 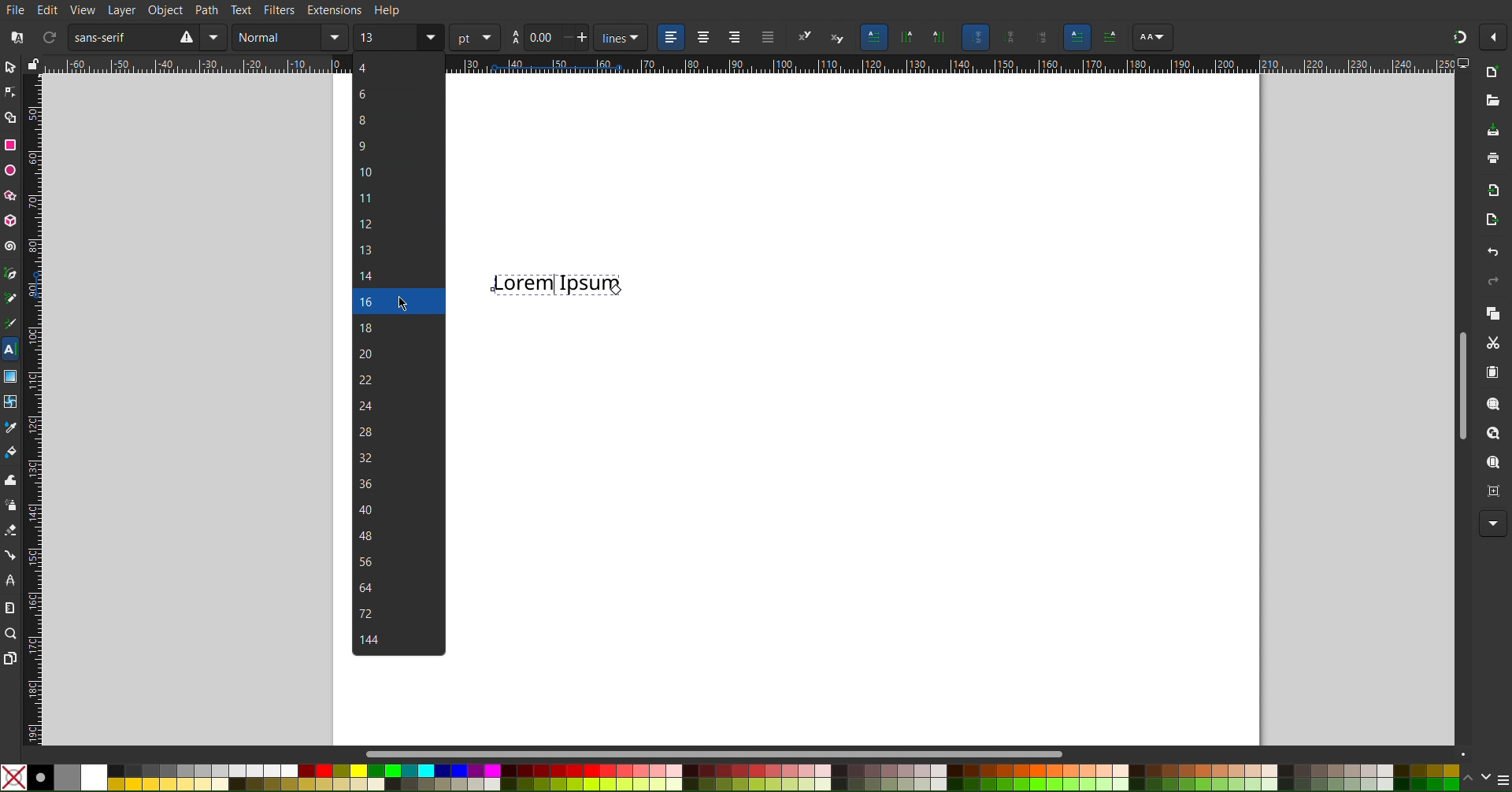 I want to click on Scaling Objects settings, so click(x=1006, y=37).